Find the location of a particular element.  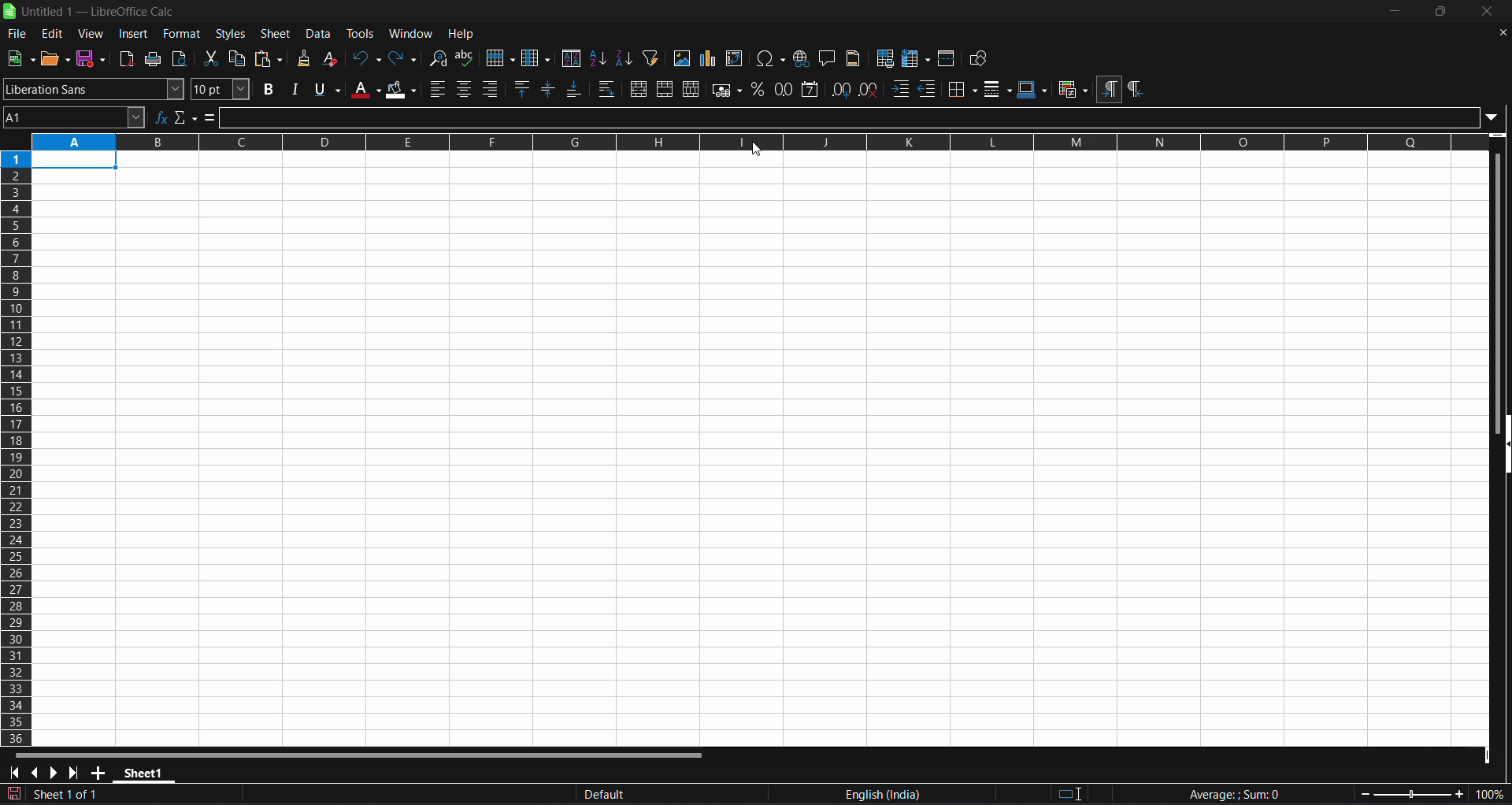

 is located at coordinates (365, 91).